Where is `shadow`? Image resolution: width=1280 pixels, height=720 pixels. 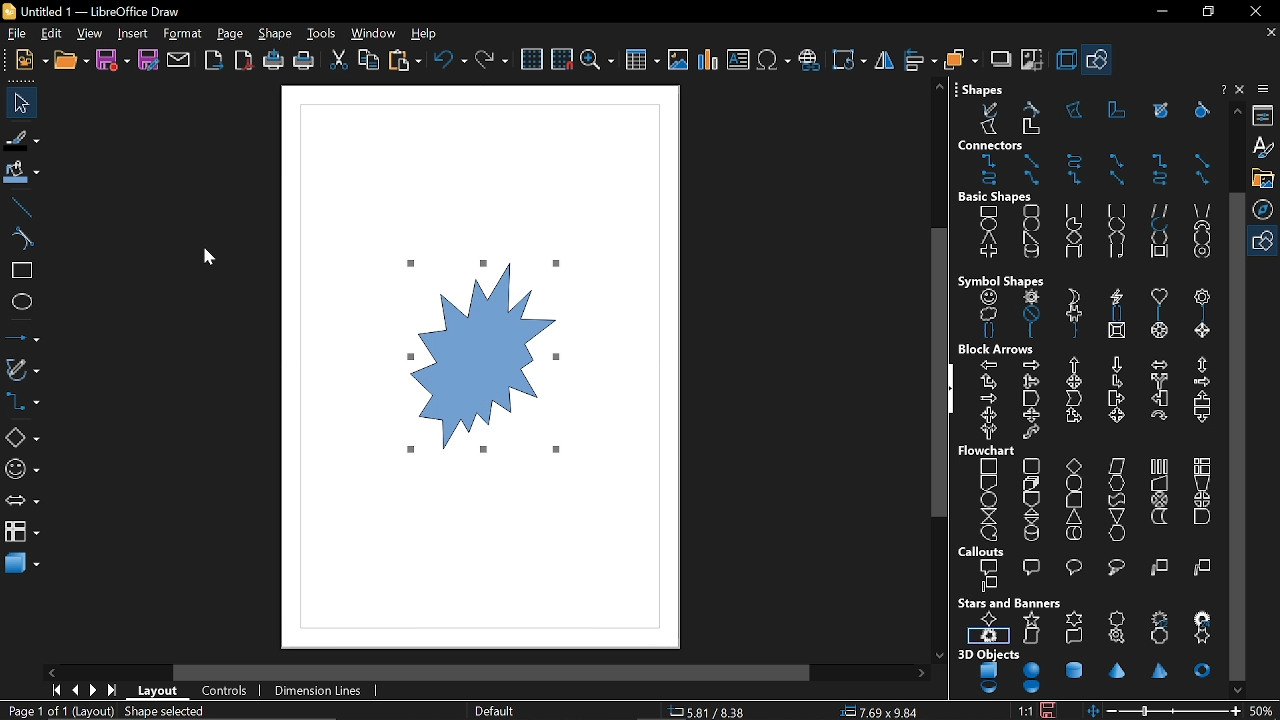 shadow is located at coordinates (1001, 61).